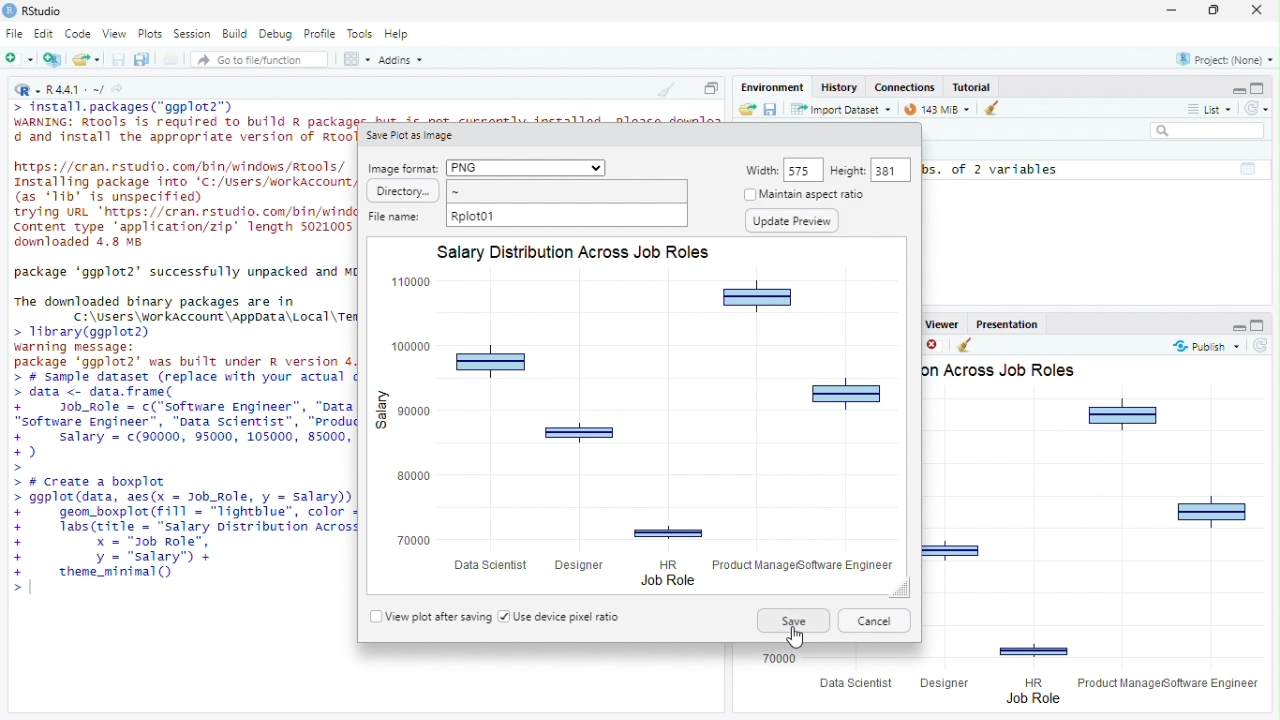 The width and height of the screenshot is (1280, 720). What do you see at coordinates (904, 87) in the screenshot?
I see `Connections` at bounding box center [904, 87].